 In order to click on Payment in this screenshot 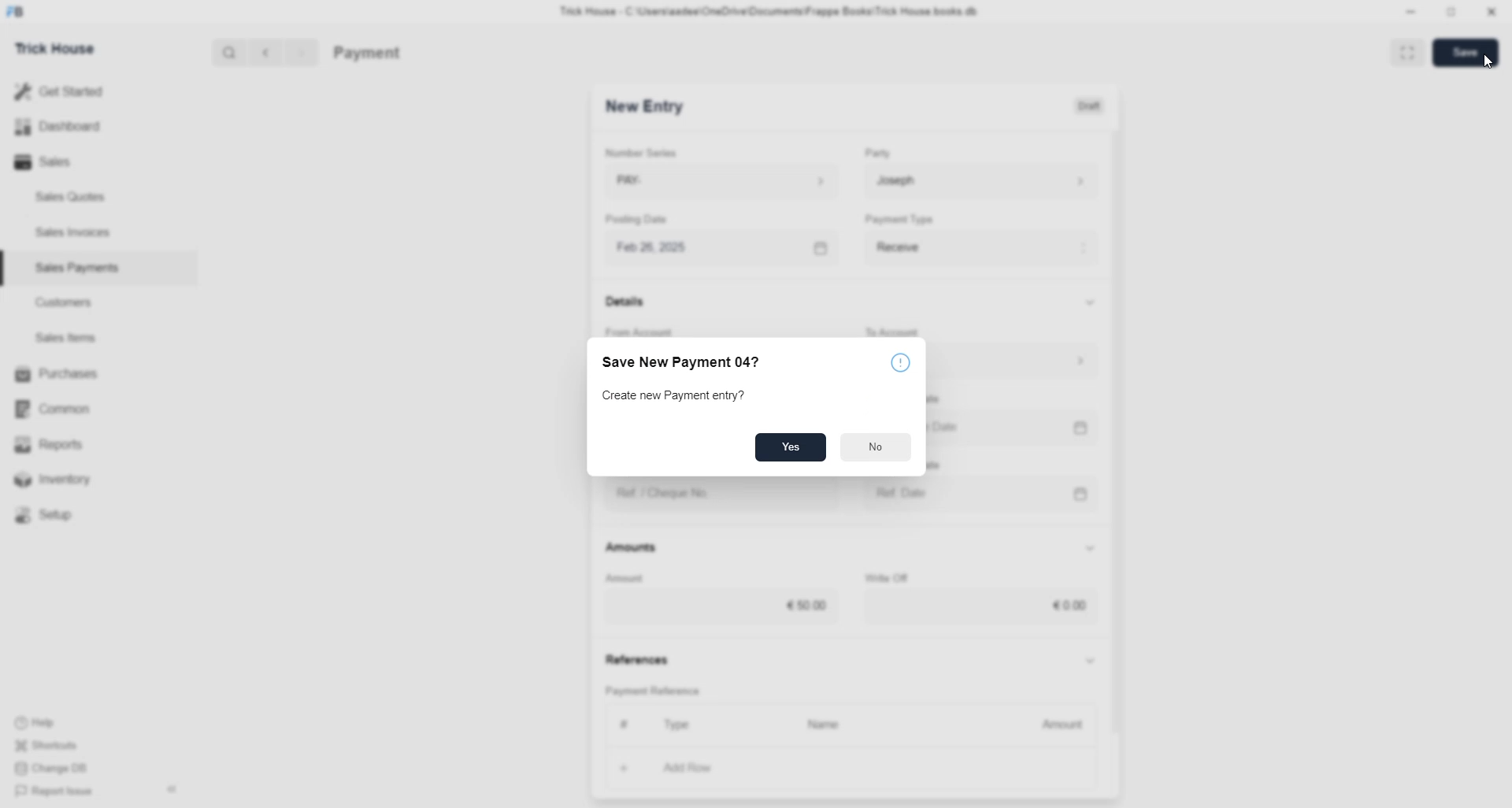, I will do `click(368, 54)`.